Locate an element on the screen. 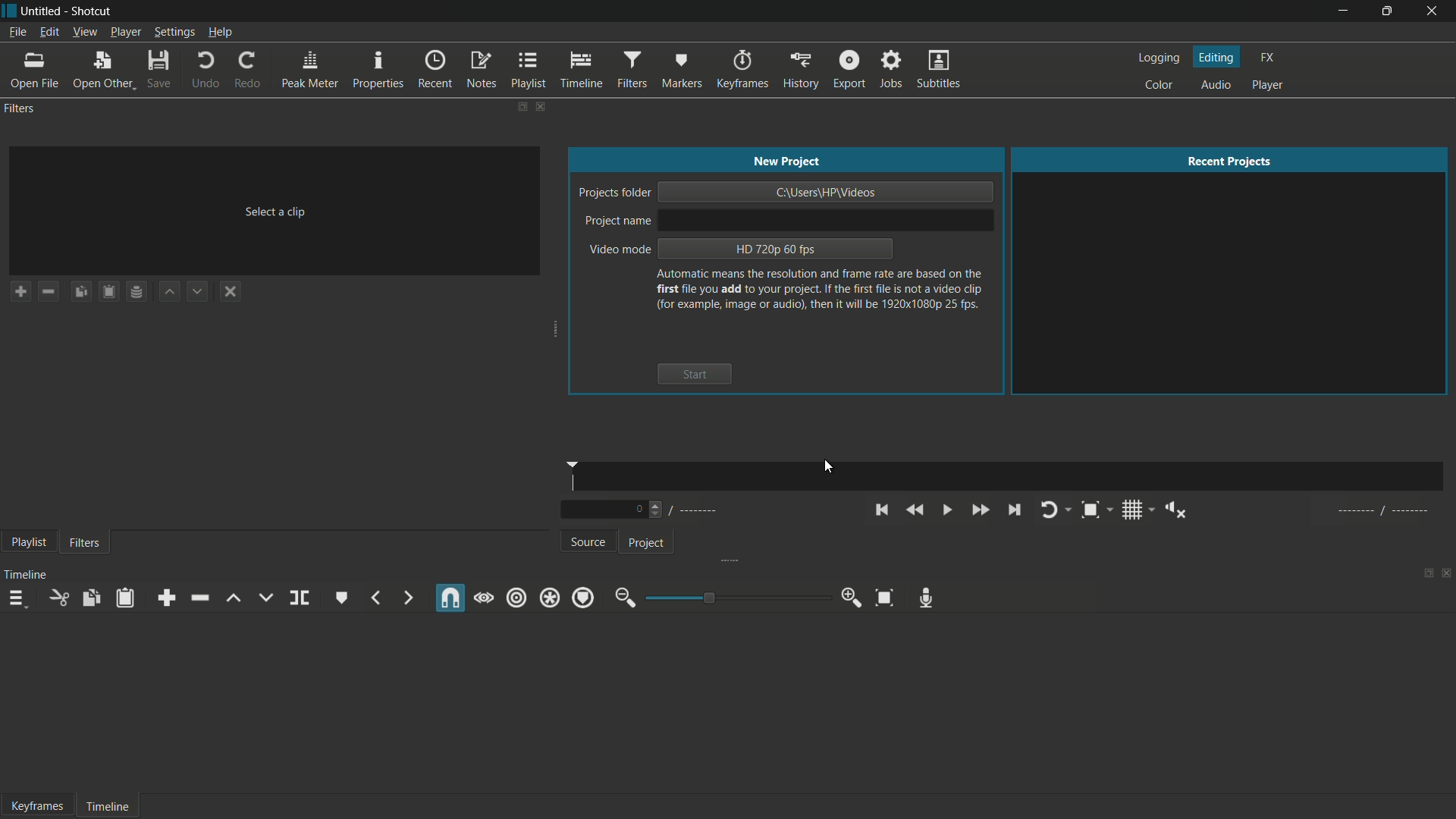  undo is located at coordinates (208, 71).